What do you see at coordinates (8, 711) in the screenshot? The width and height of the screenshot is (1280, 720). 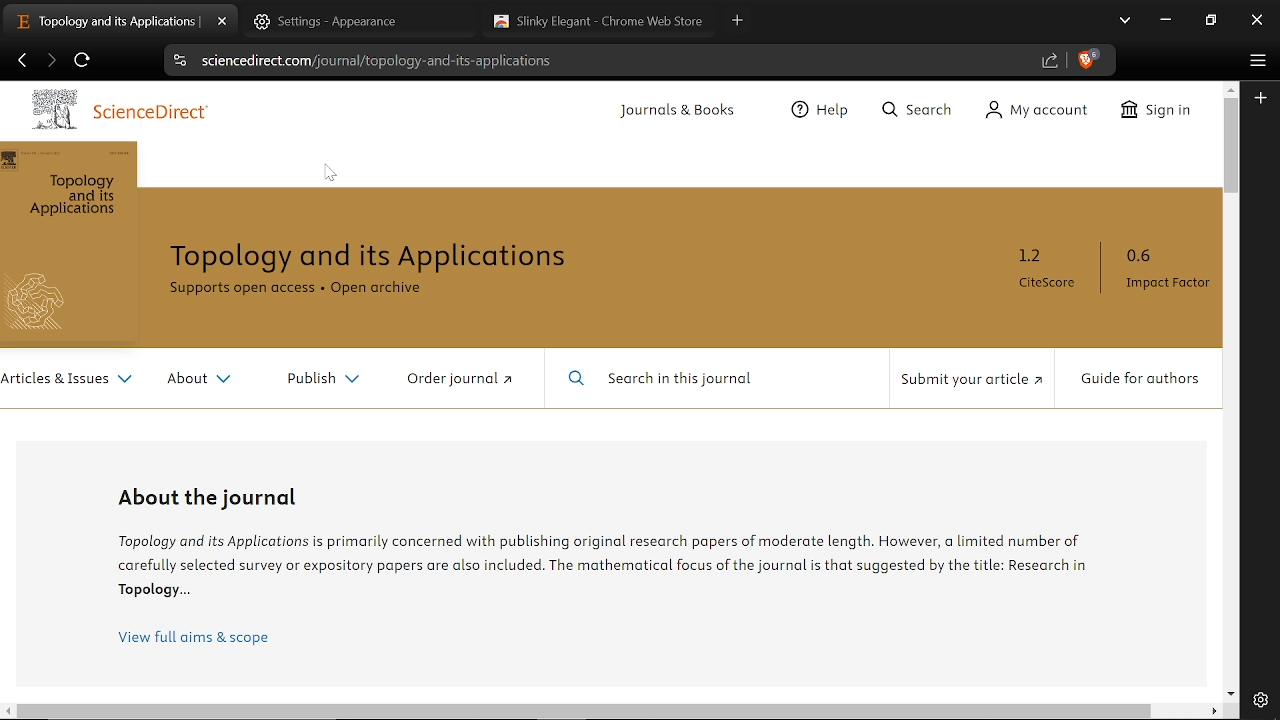 I see `Move left` at bounding box center [8, 711].